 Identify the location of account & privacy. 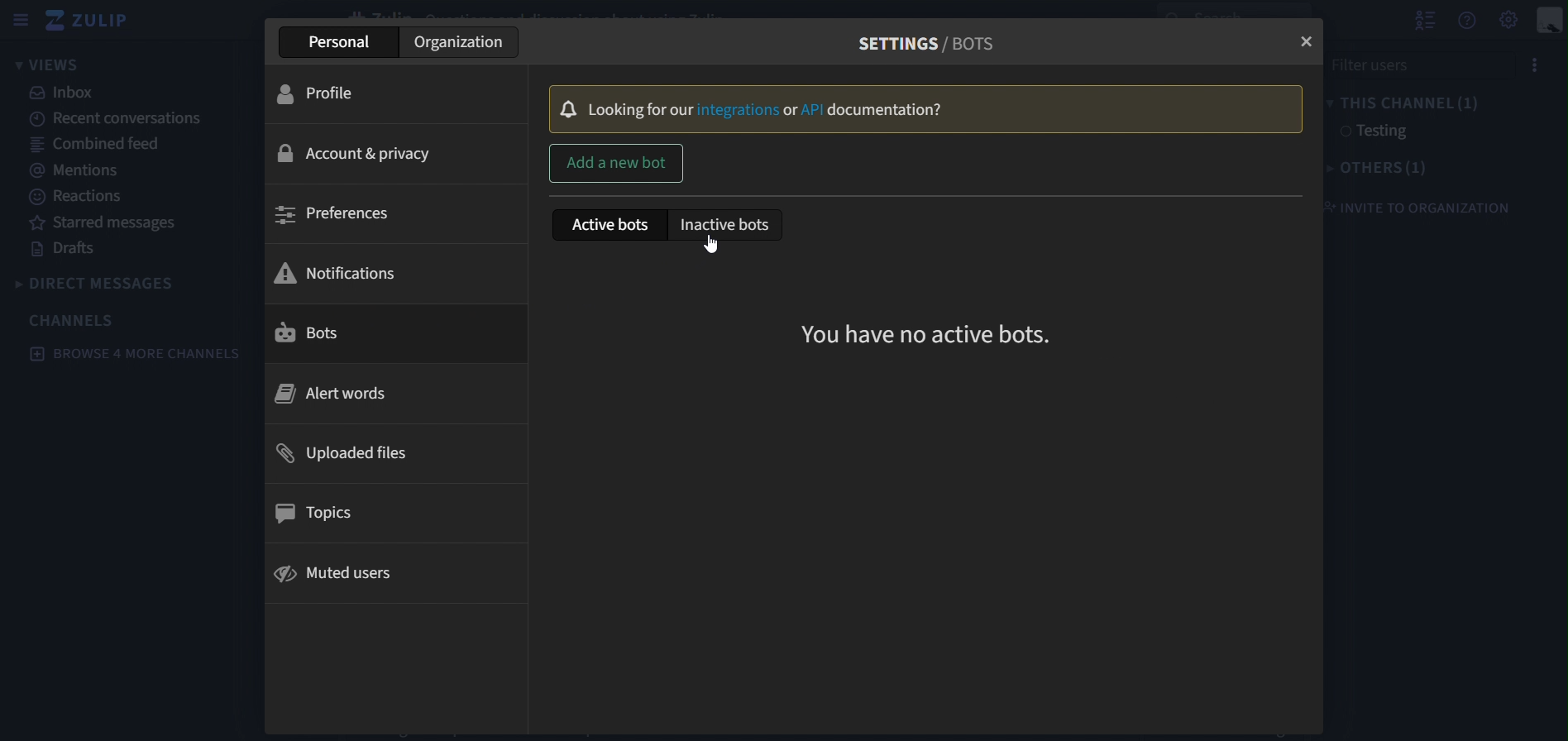
(355, 152).